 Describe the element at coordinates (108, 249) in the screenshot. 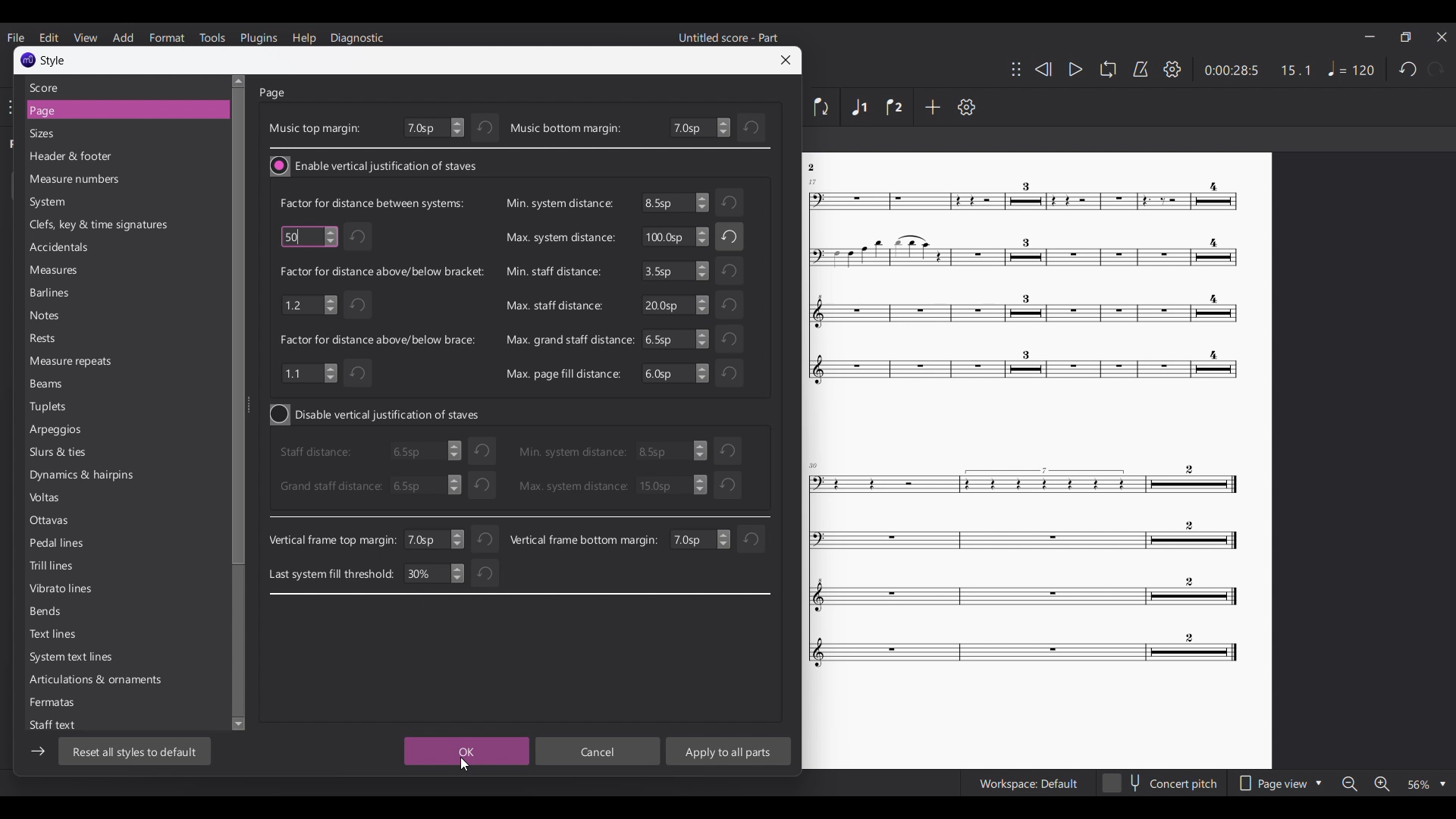

I see `Accidentals` at that location.